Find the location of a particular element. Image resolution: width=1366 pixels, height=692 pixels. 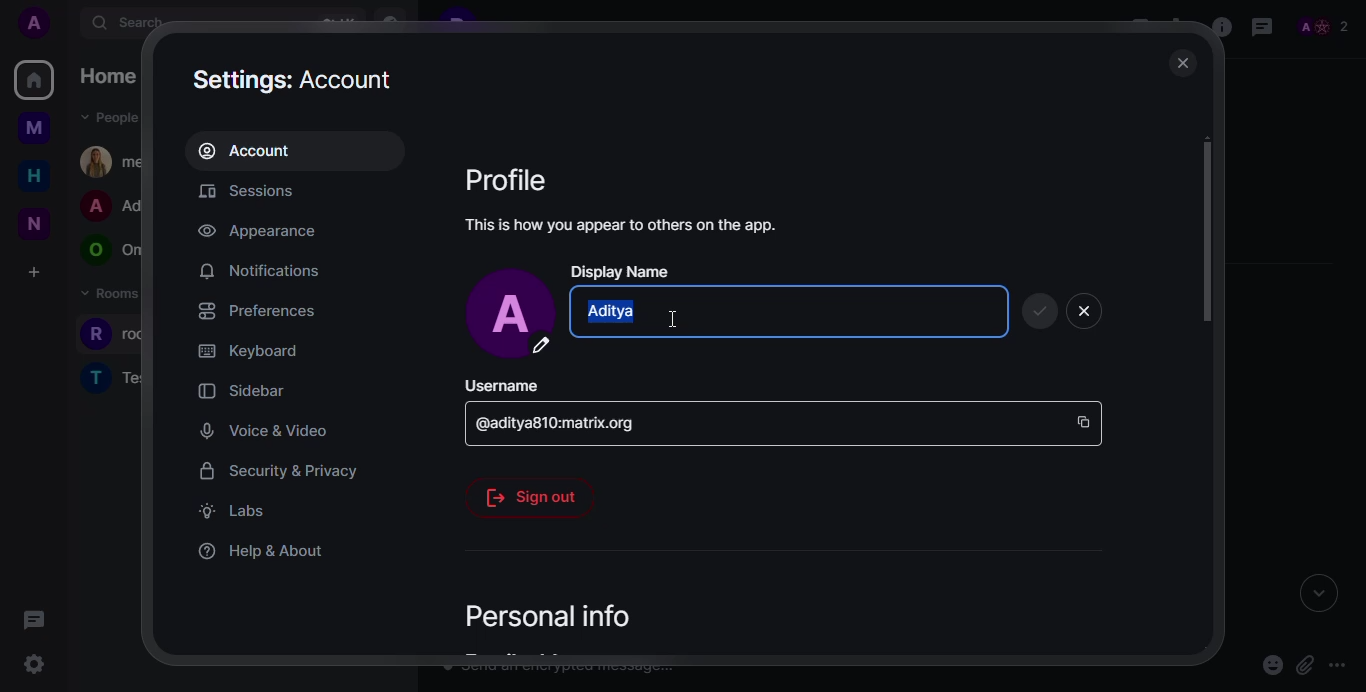

rooms is located at coordinates (116, 378).